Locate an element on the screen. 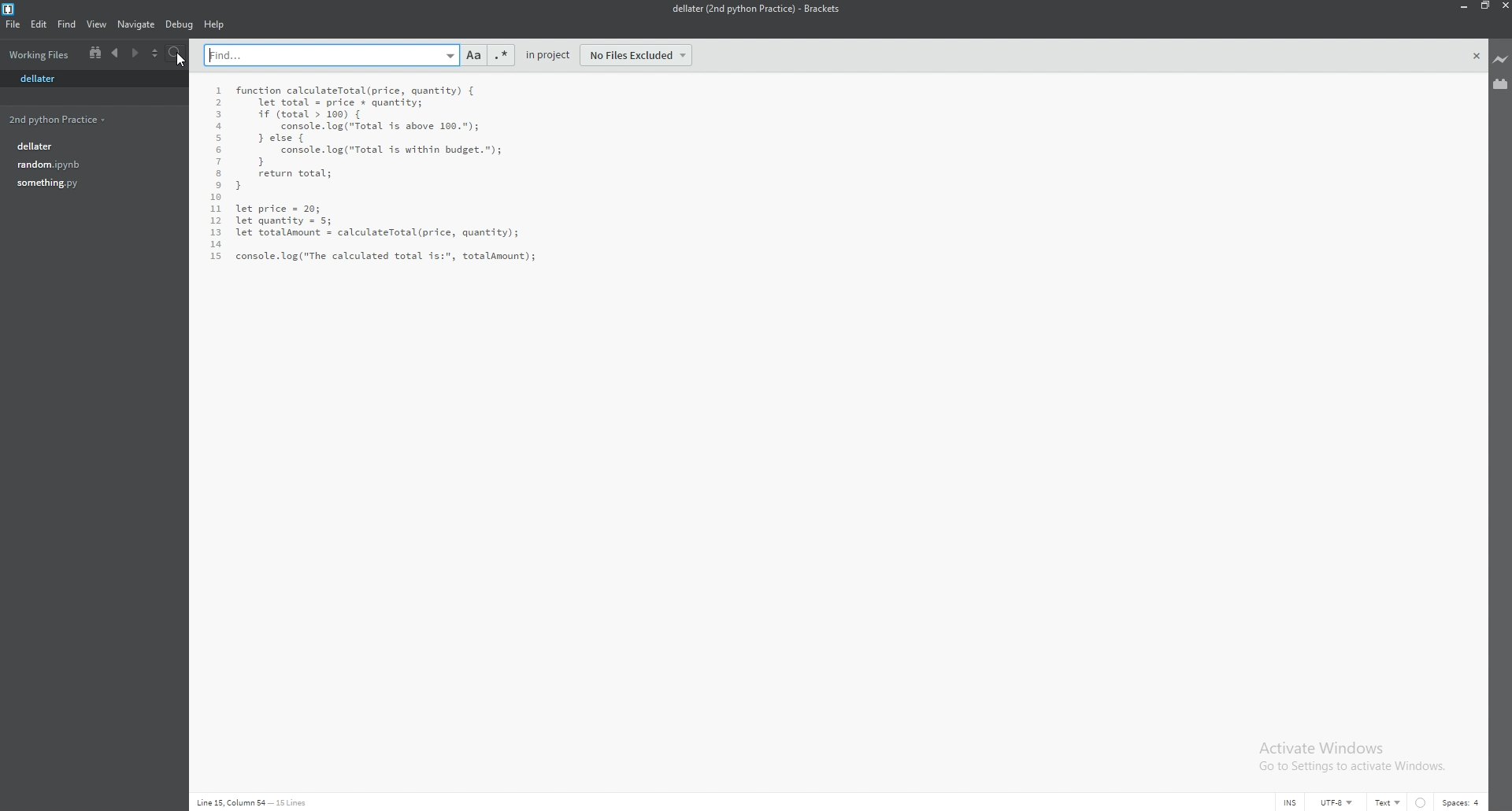  bracket logo is located at coordinates (10, 9).